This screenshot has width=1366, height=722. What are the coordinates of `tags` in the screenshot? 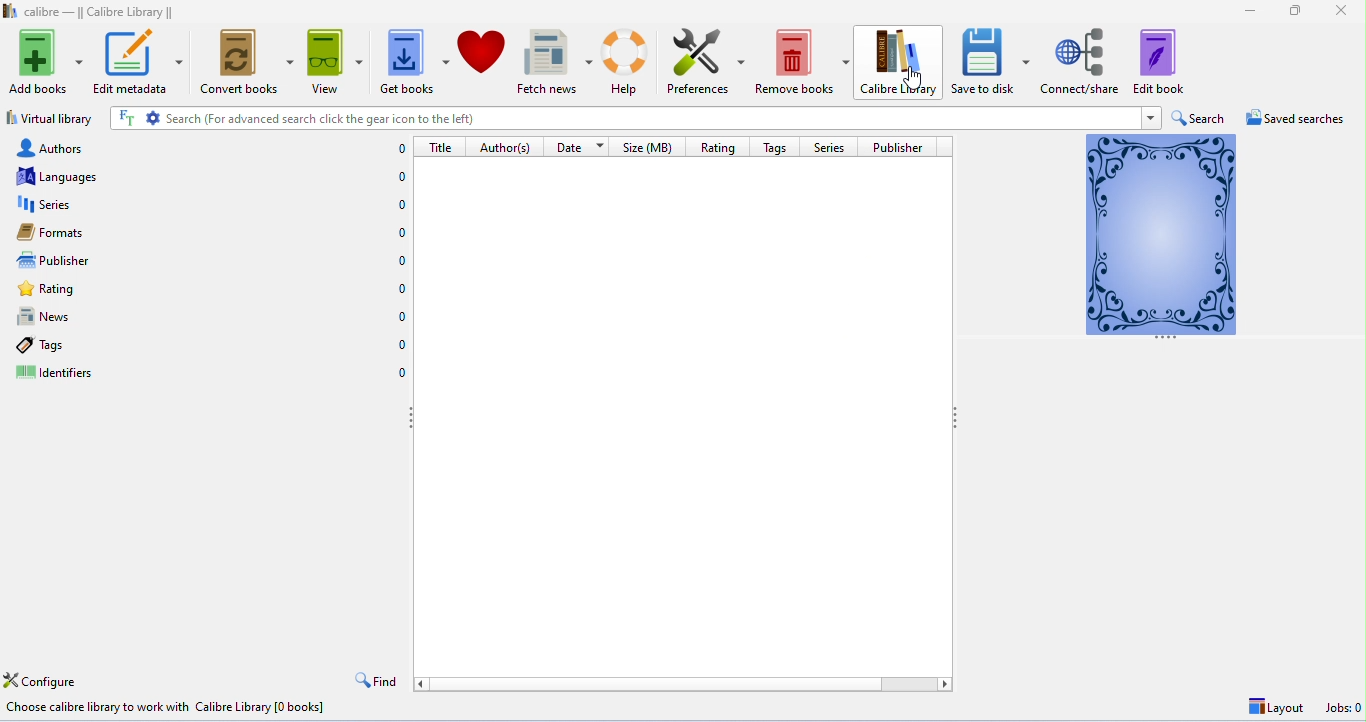 It's located at (209, 344).